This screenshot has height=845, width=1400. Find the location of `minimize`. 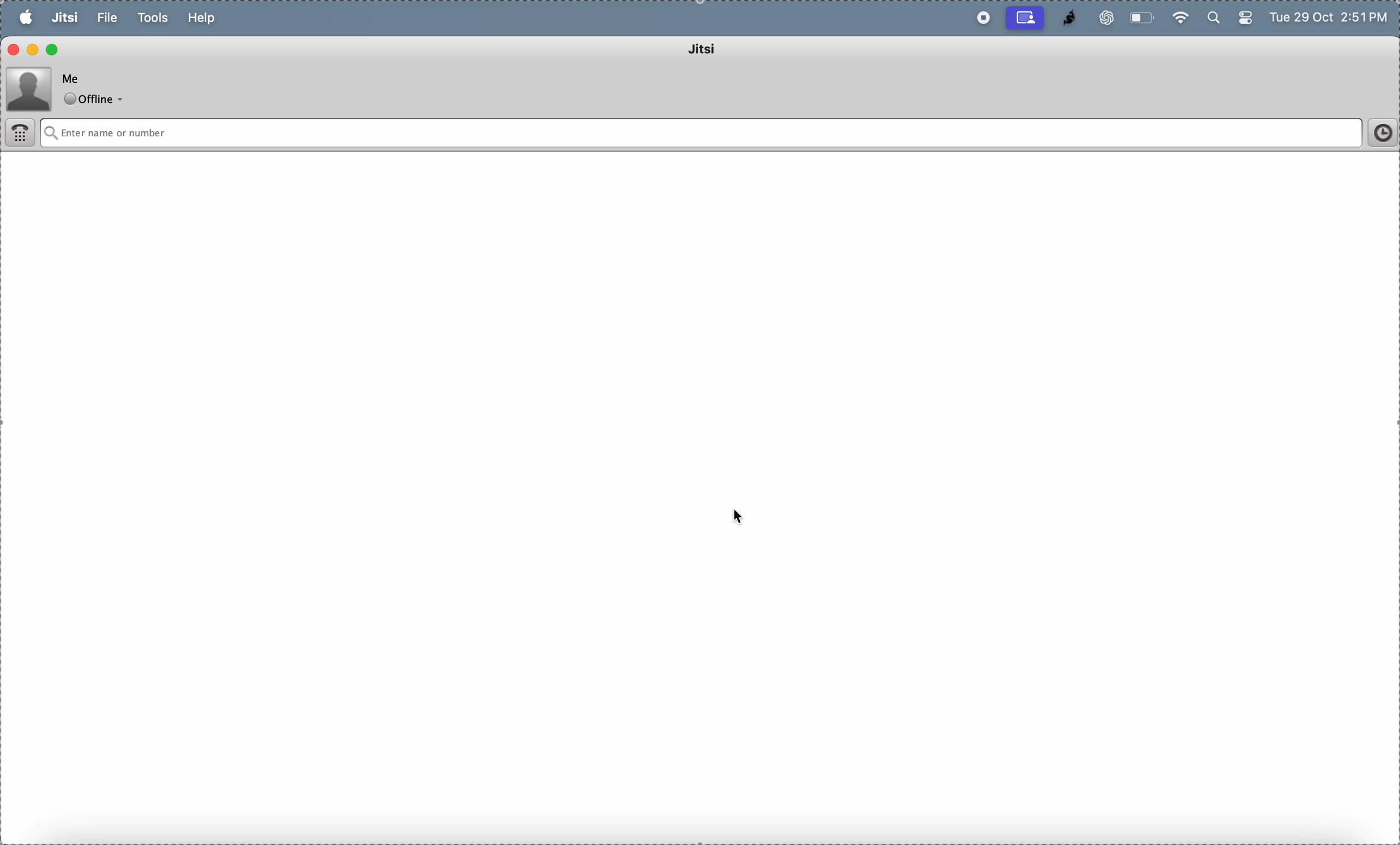

minimize is located at coordinates (35, 49).